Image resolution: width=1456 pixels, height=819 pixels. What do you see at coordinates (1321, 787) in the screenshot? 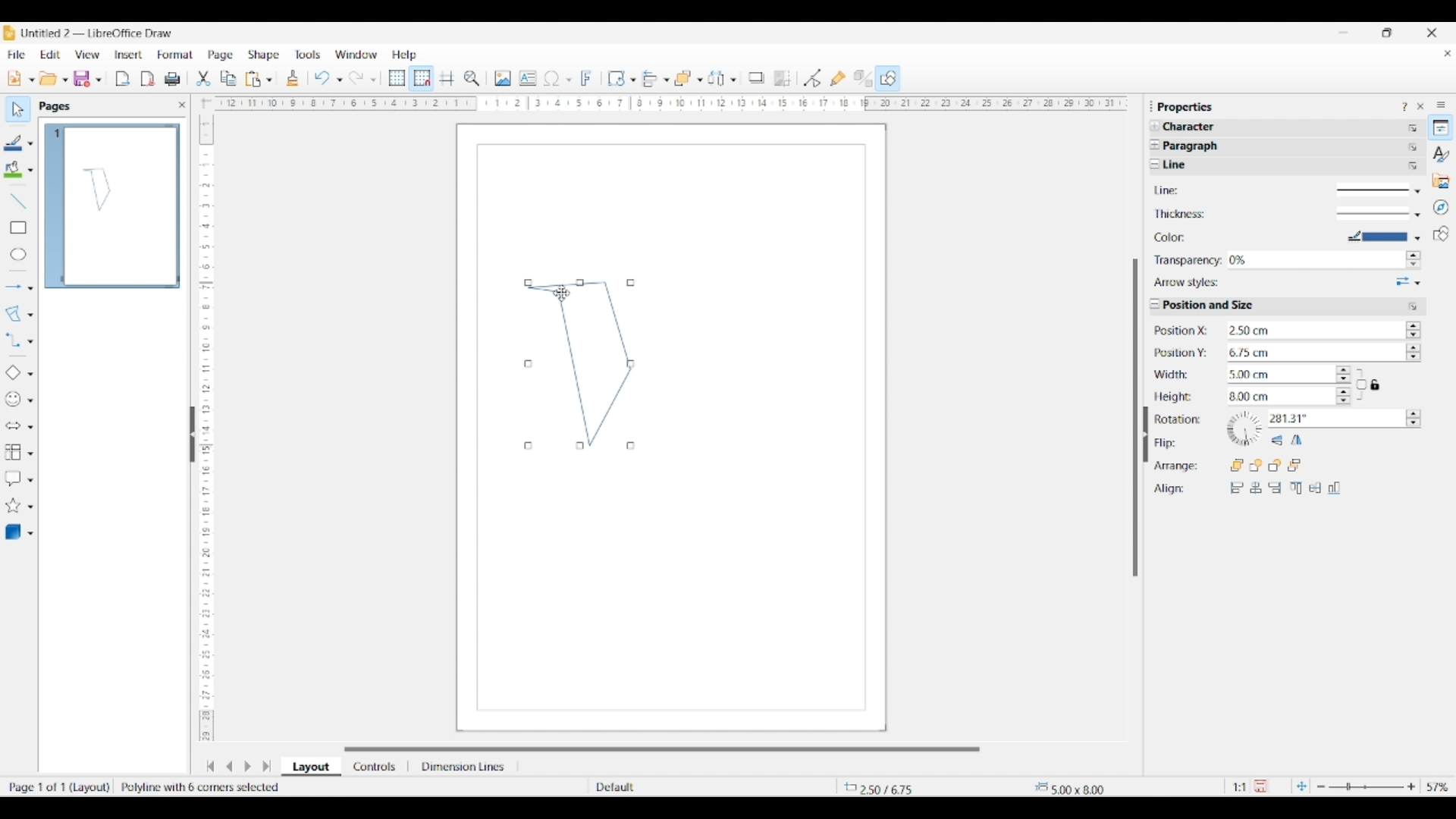
I see `Zoom out` at bounding box center [1321, 787].